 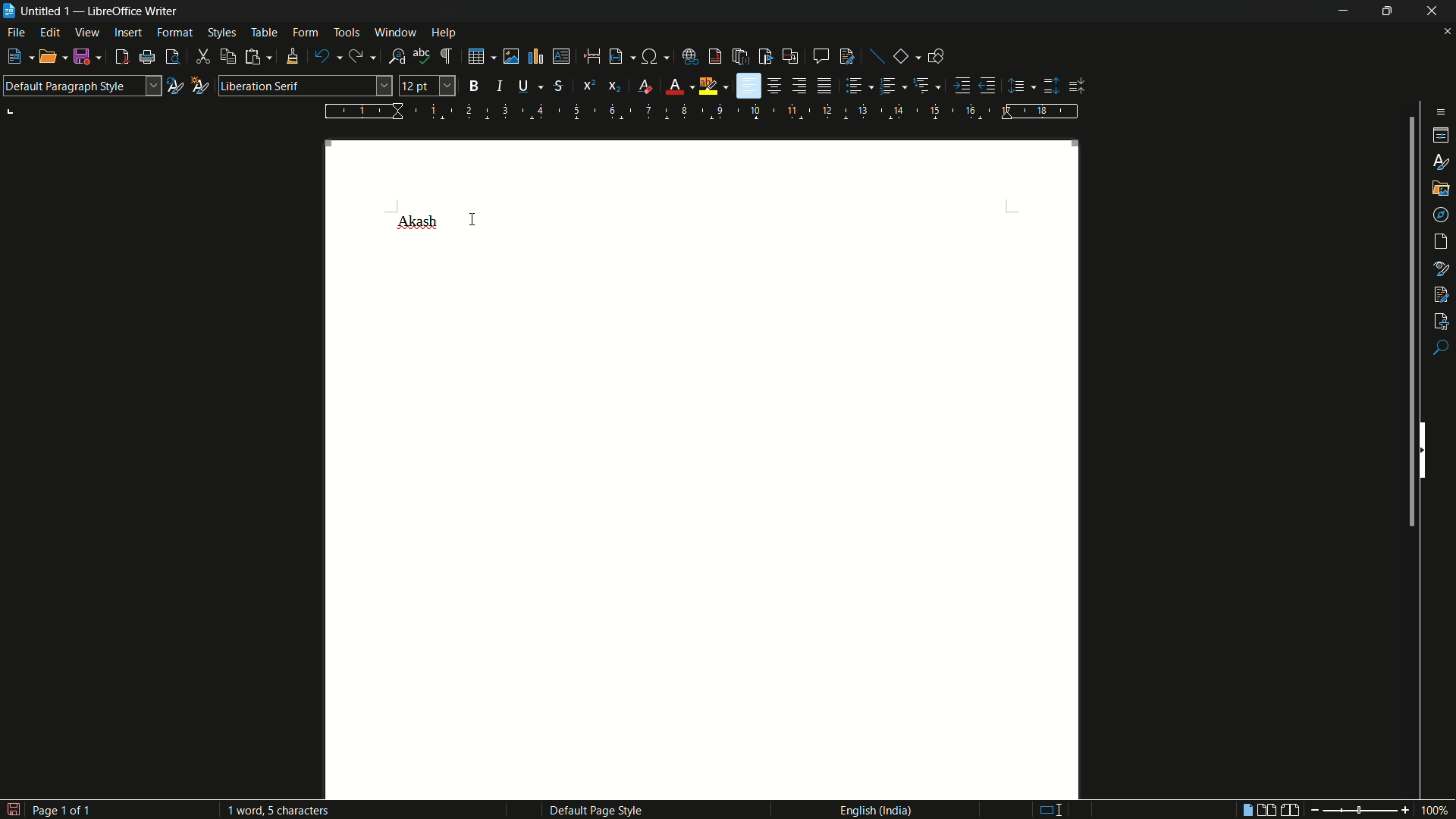 I want to click on page number, so click(x=54, y=808).